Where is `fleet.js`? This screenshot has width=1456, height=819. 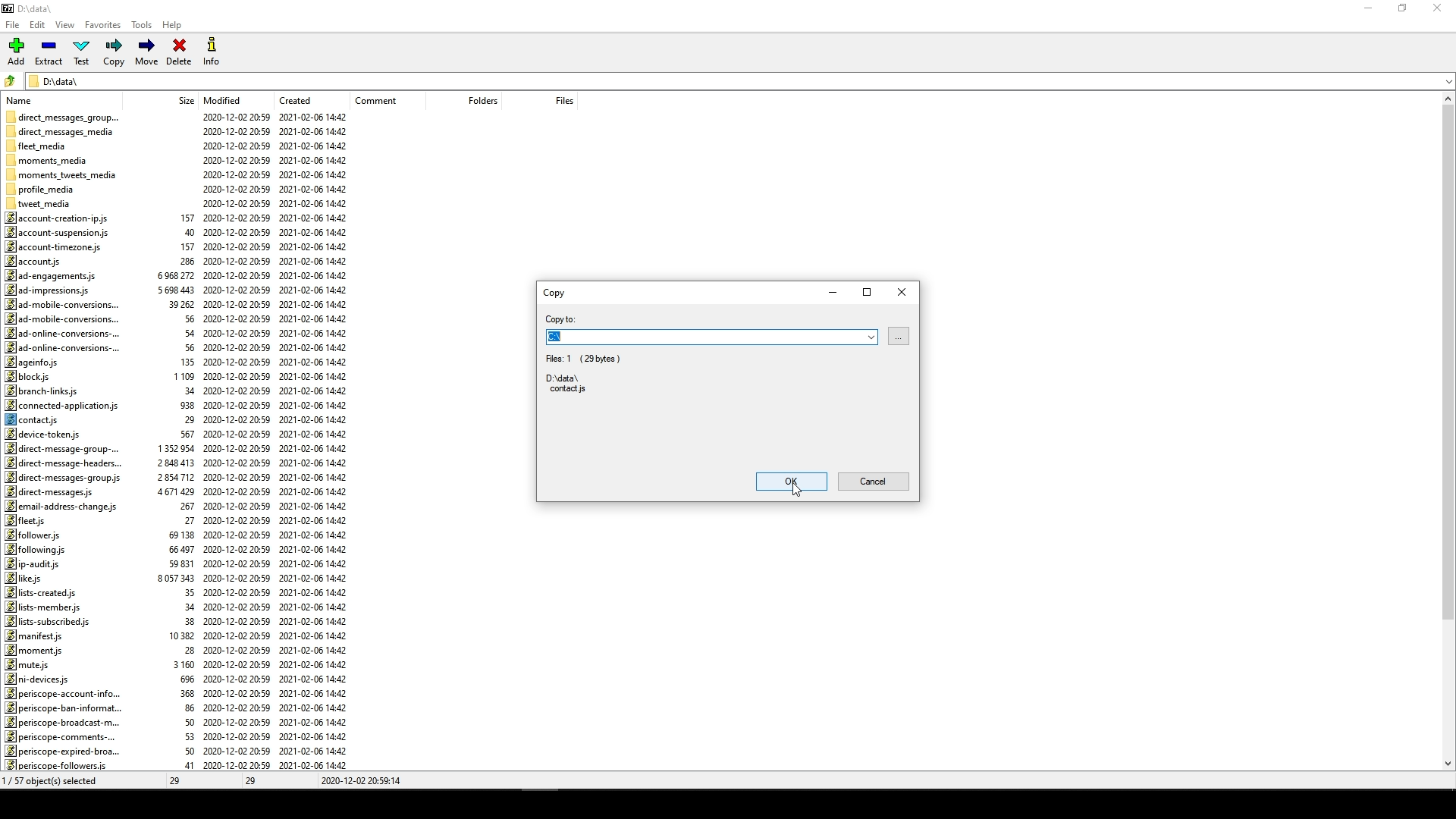 fleet.js is located at coordinates (28, 520).